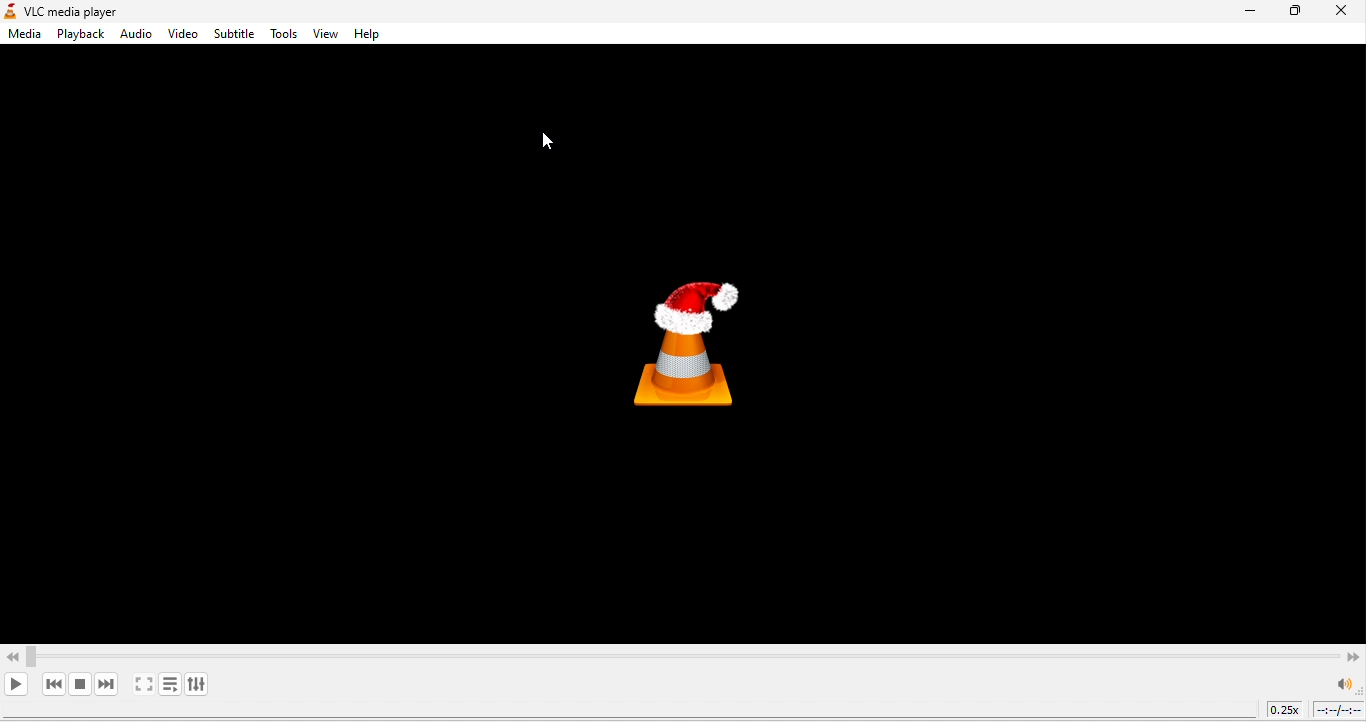 The height and width of the screenshot is (722, 1366). I want to click on toggle video in  full screen, so click(147, 683).